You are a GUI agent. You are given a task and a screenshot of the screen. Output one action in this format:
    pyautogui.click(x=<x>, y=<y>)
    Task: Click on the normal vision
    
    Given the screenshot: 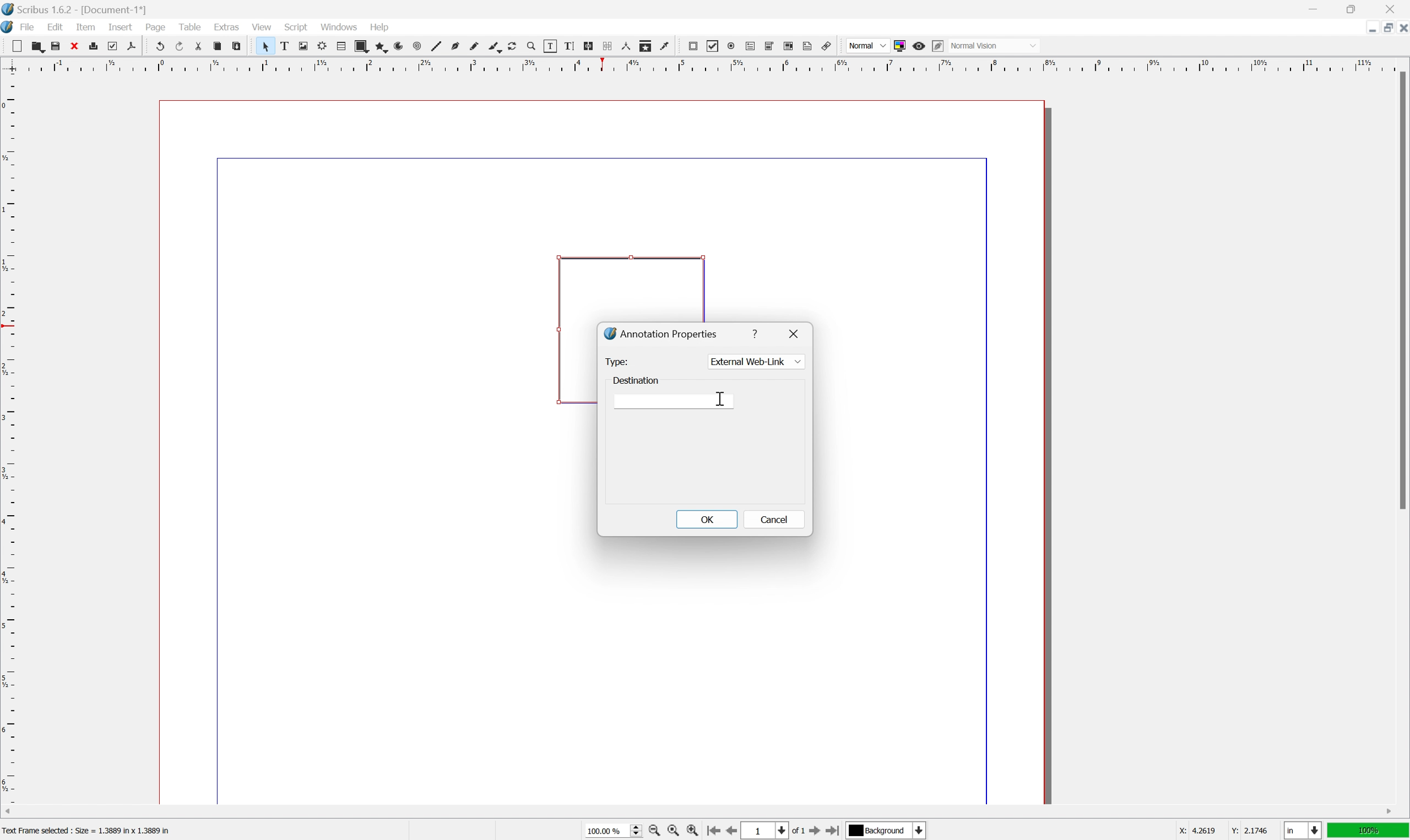 What is the action you would take?
    pyautogui.click(x=993, y=45)
    